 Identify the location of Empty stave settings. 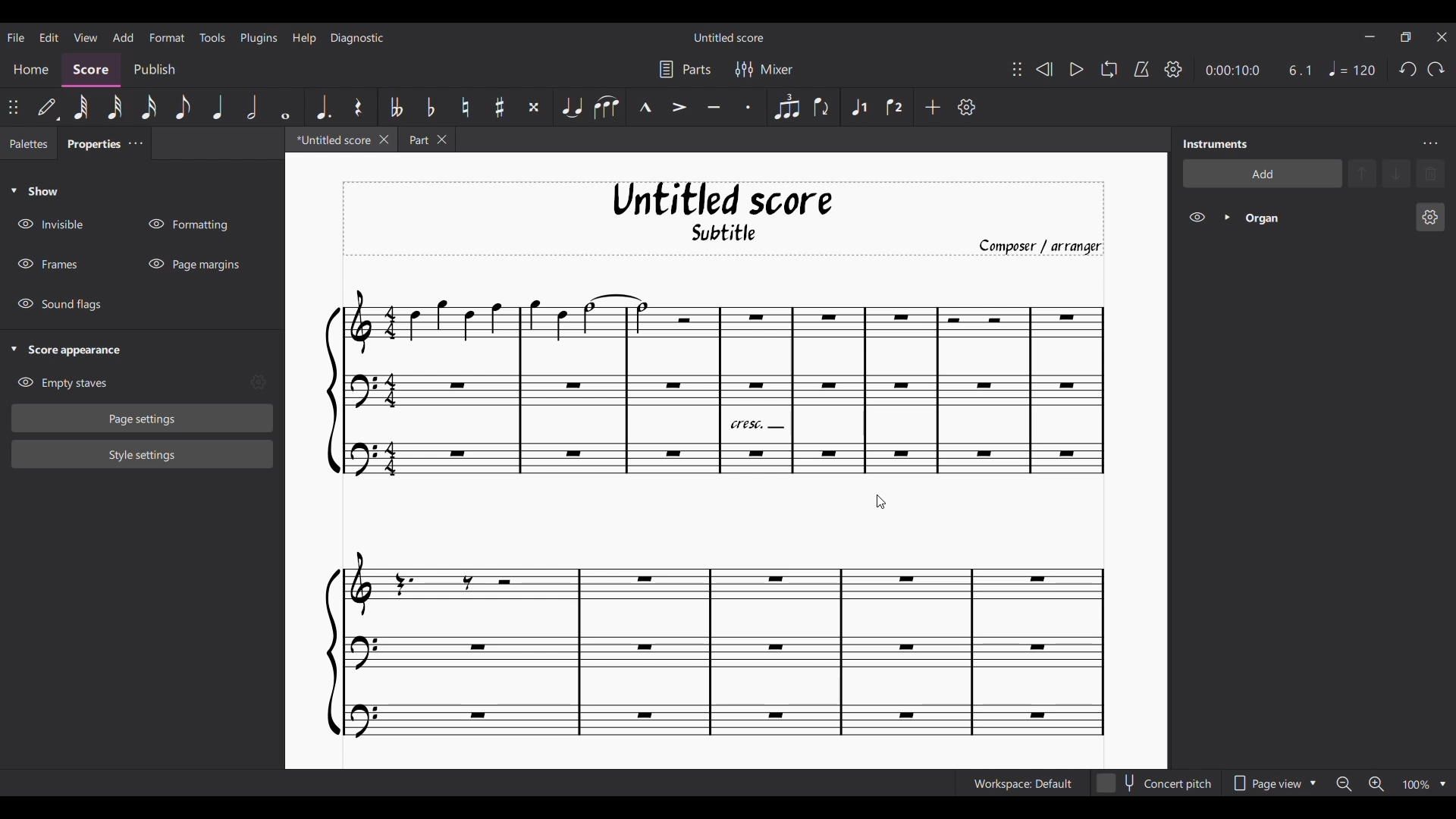
(258, 382).